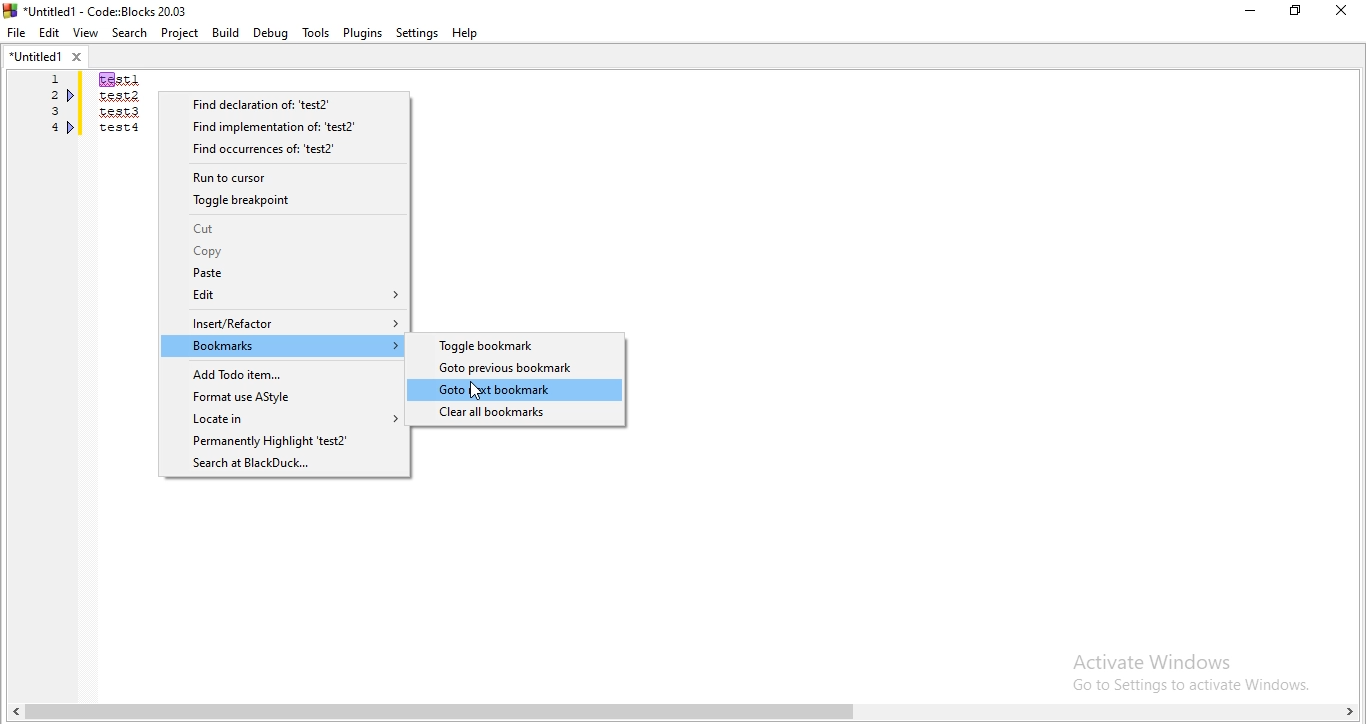  I want to click on Cursor, so click(476, 393).